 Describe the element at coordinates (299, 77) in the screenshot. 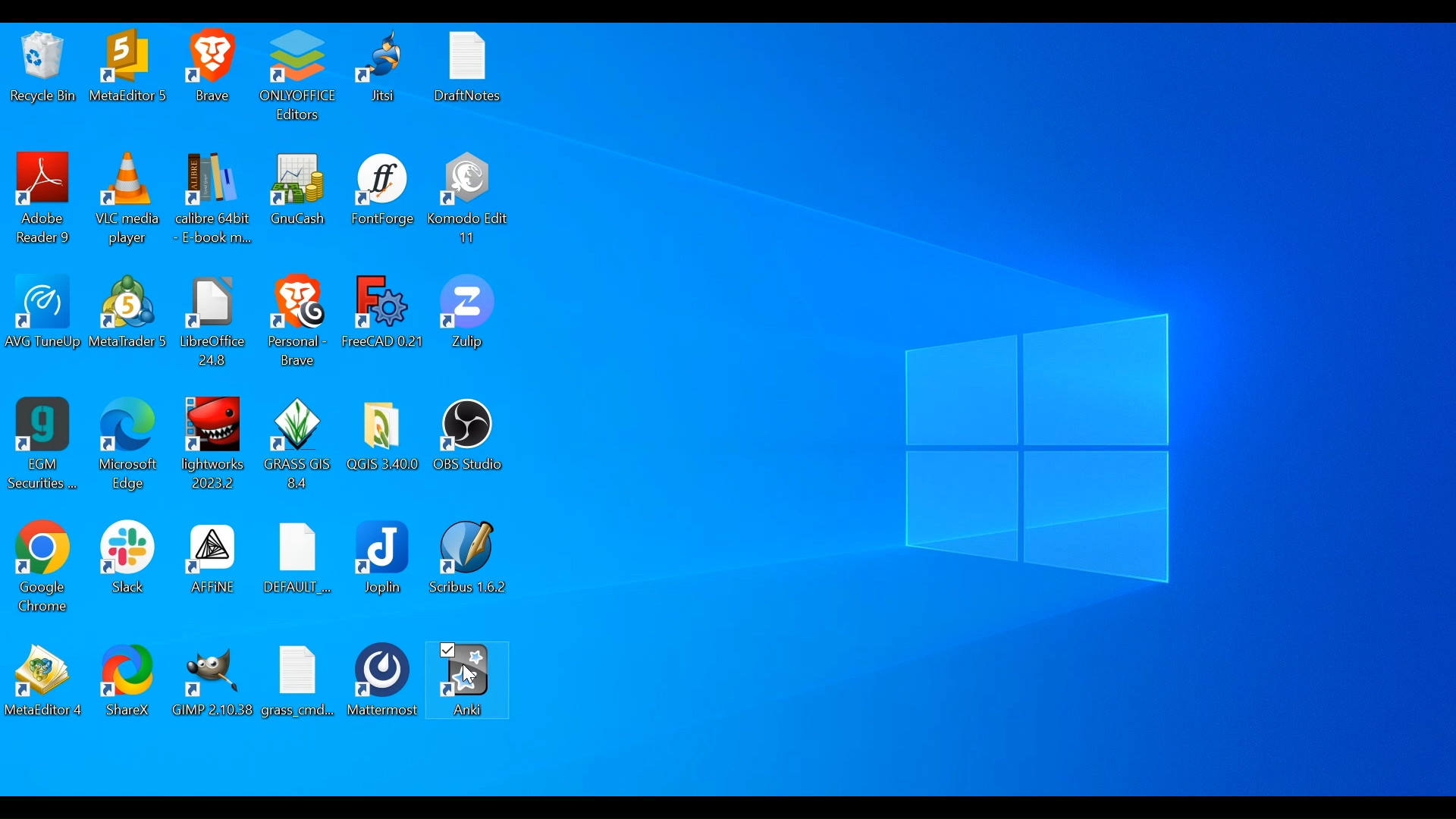

I see `OnlyOffice Editors Desktop icon` at that location.